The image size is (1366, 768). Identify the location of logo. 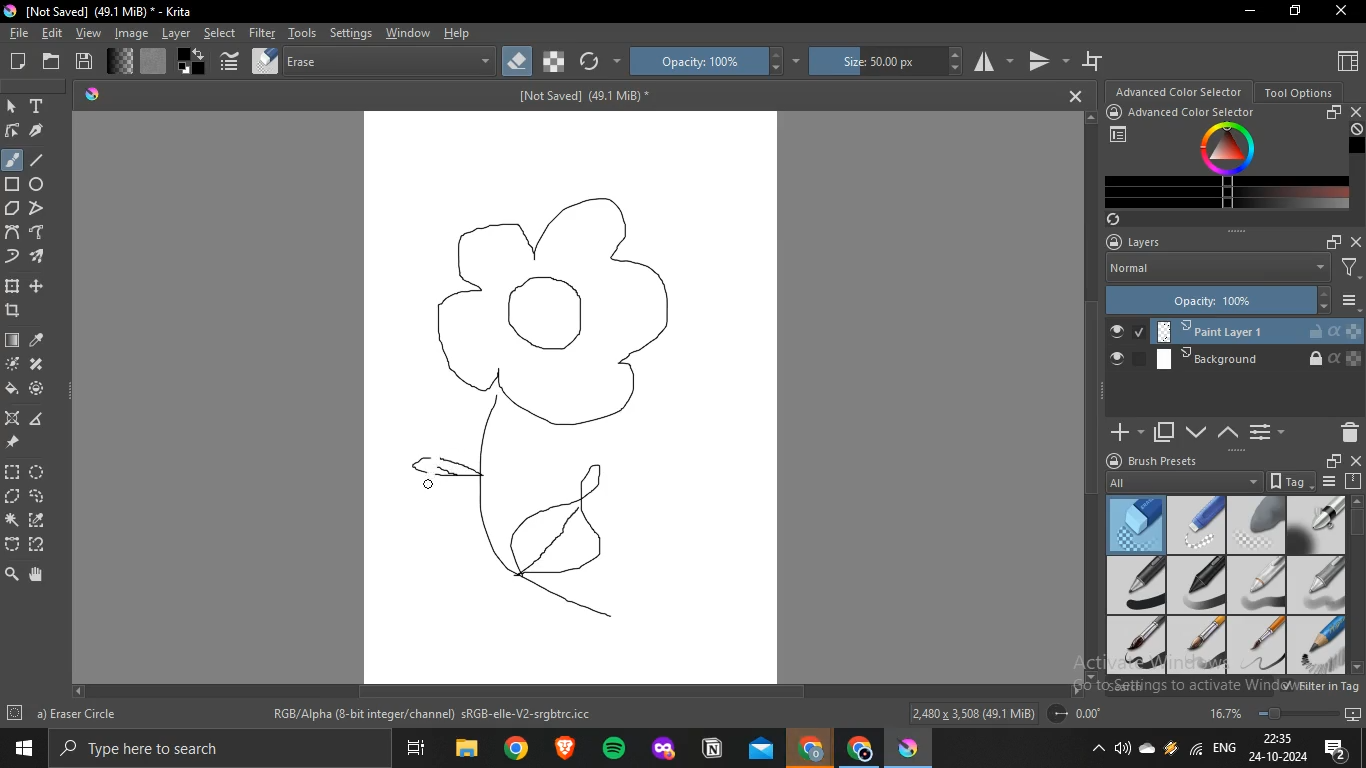
(13, 11).